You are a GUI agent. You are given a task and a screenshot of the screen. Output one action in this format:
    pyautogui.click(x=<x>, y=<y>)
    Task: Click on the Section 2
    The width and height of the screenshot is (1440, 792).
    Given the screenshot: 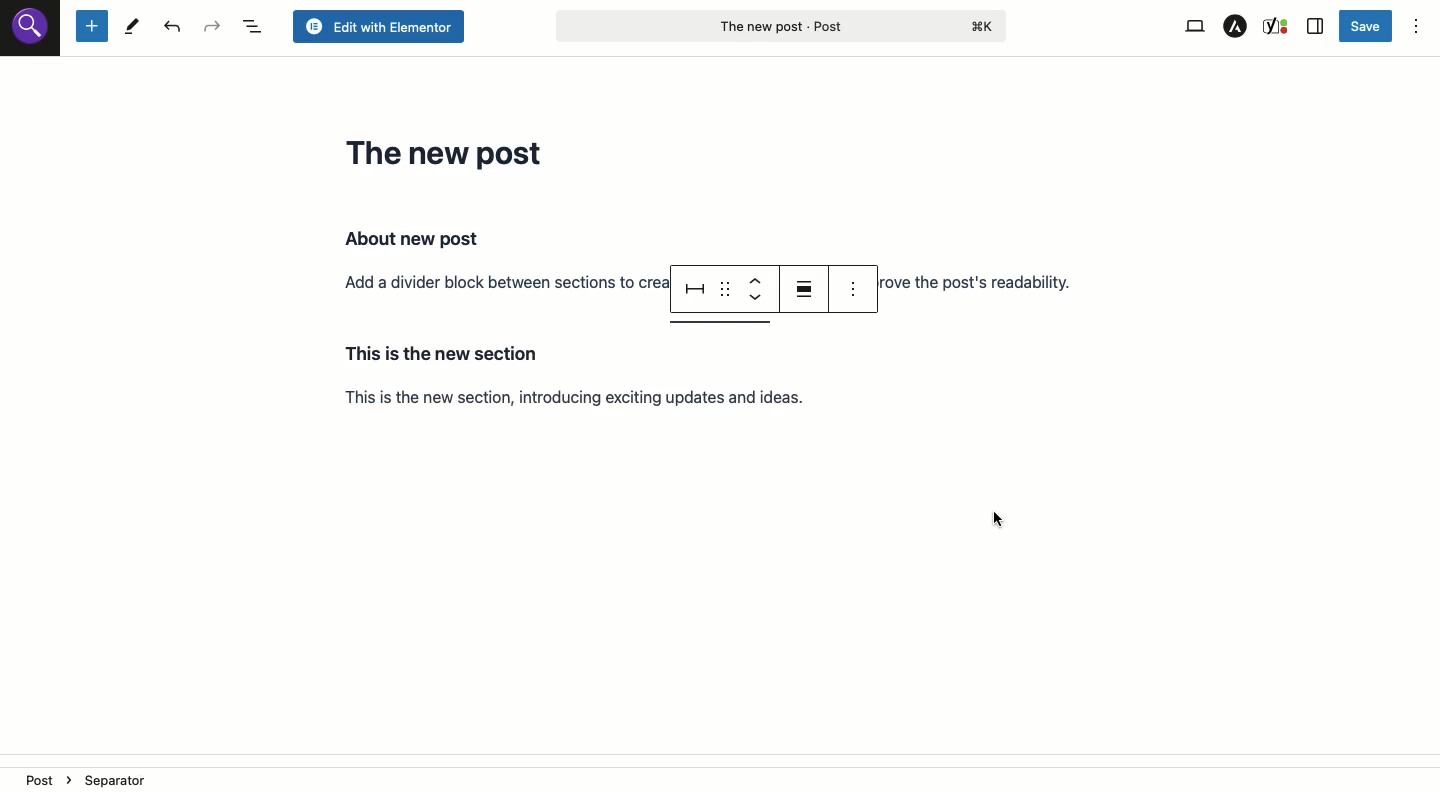 What is the action you would take?
    pyautogui.click(x=602, y=404)
    